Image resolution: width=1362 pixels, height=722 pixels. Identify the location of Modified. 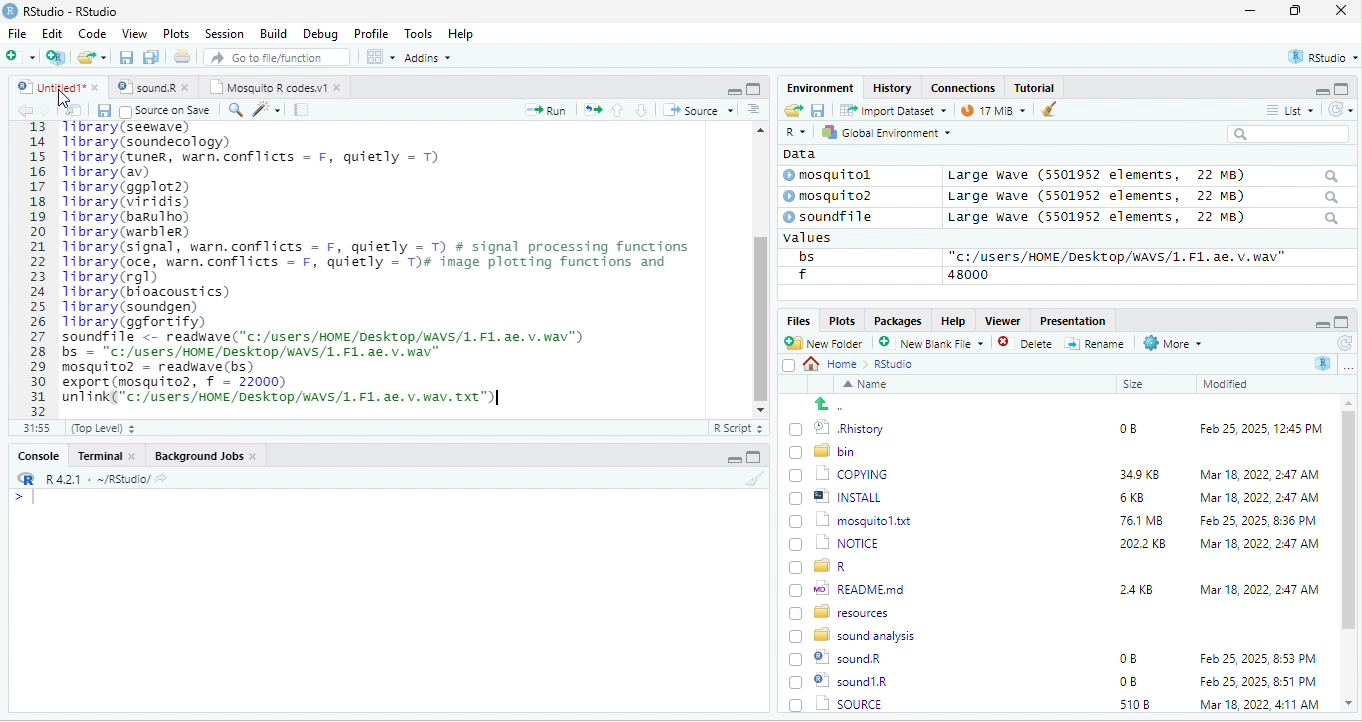
(1227, 384).